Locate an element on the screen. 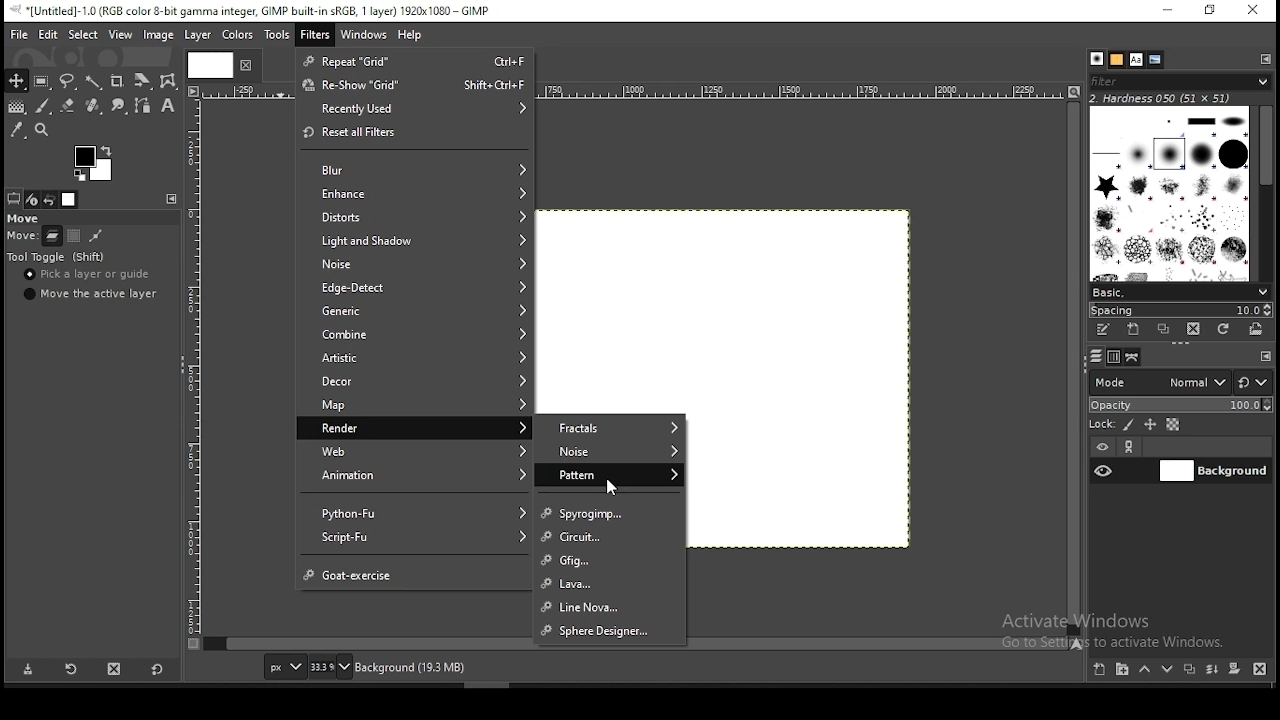 This screenshot has width=1280, height=720. layer is located at coordinates (1214, 471).